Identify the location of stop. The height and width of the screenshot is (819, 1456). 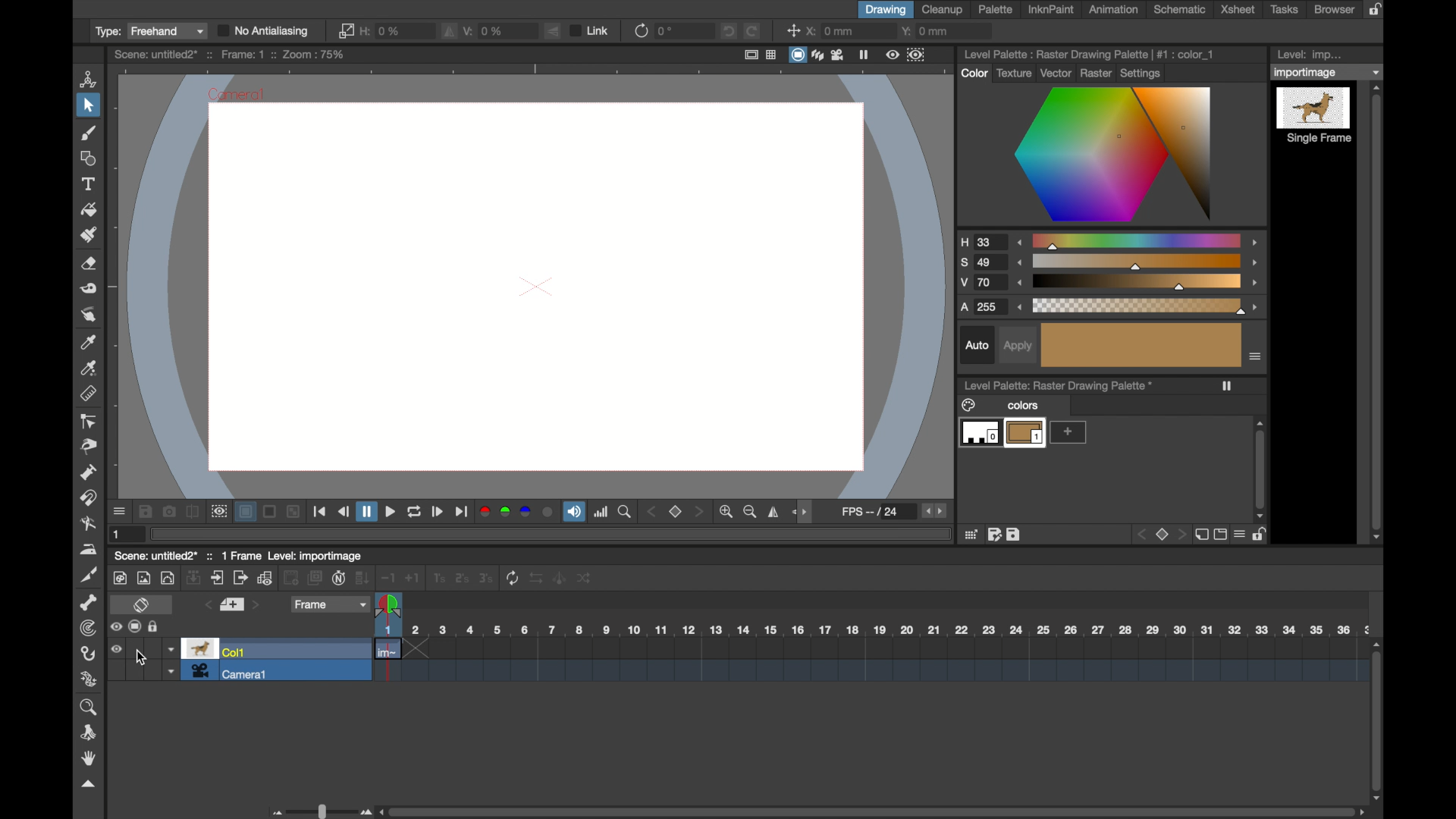
(676, 512).